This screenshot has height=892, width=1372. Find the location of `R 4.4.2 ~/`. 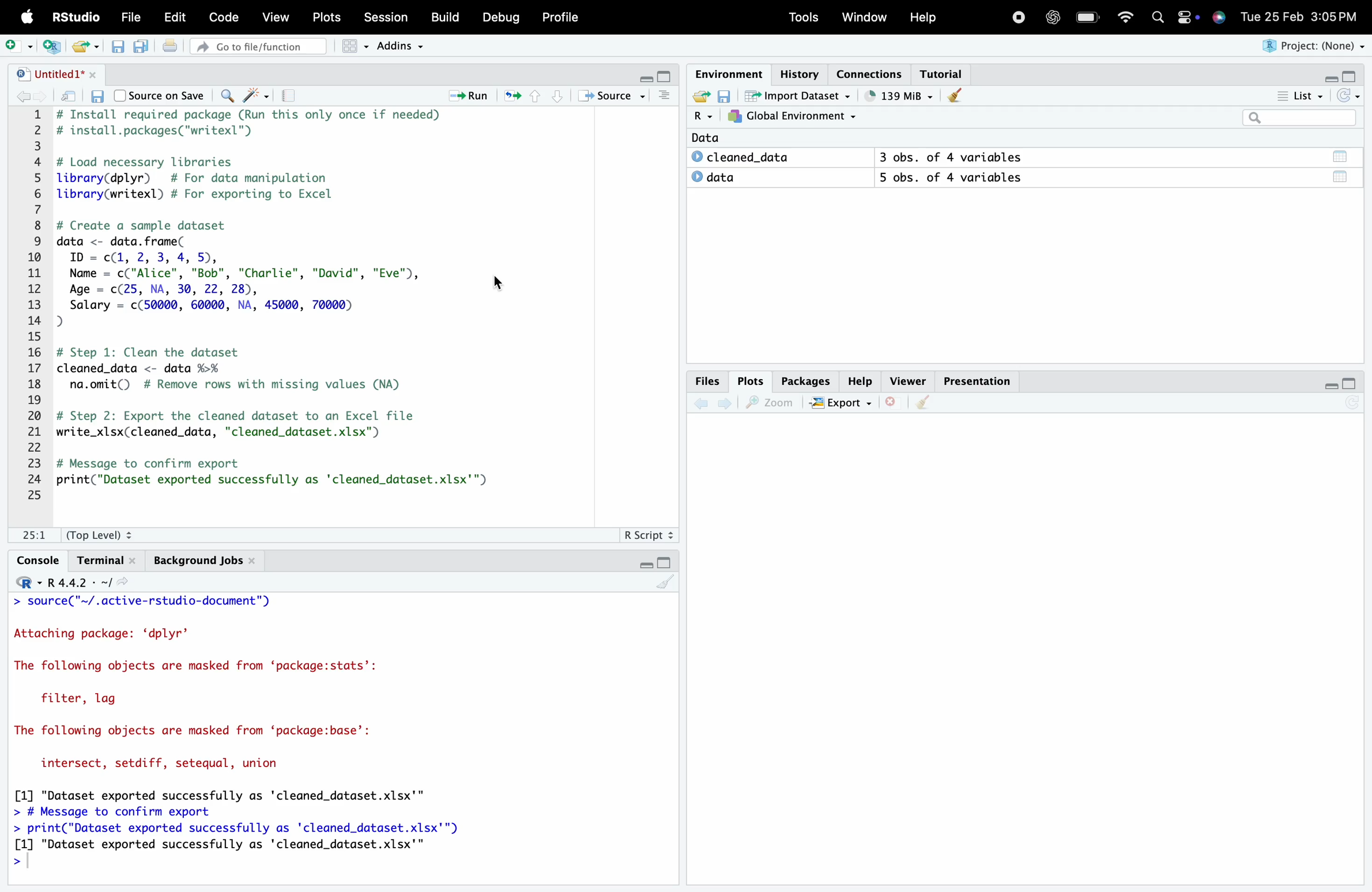

R 4.4.2 ~/ is located at coordinates (81, 581).